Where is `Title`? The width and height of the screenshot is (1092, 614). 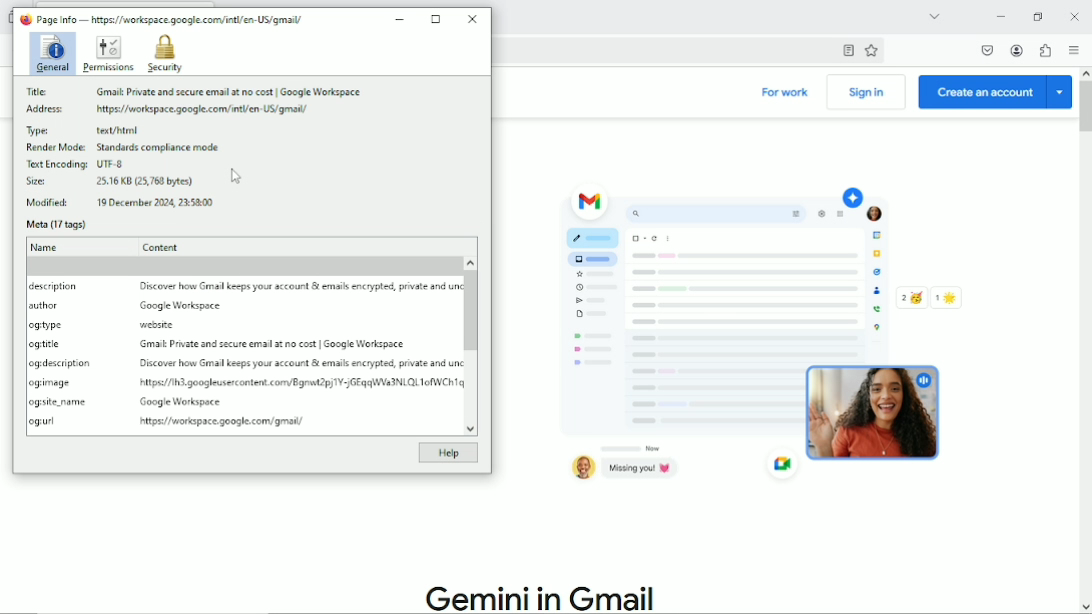 Title is located at coordinates (39, 92).